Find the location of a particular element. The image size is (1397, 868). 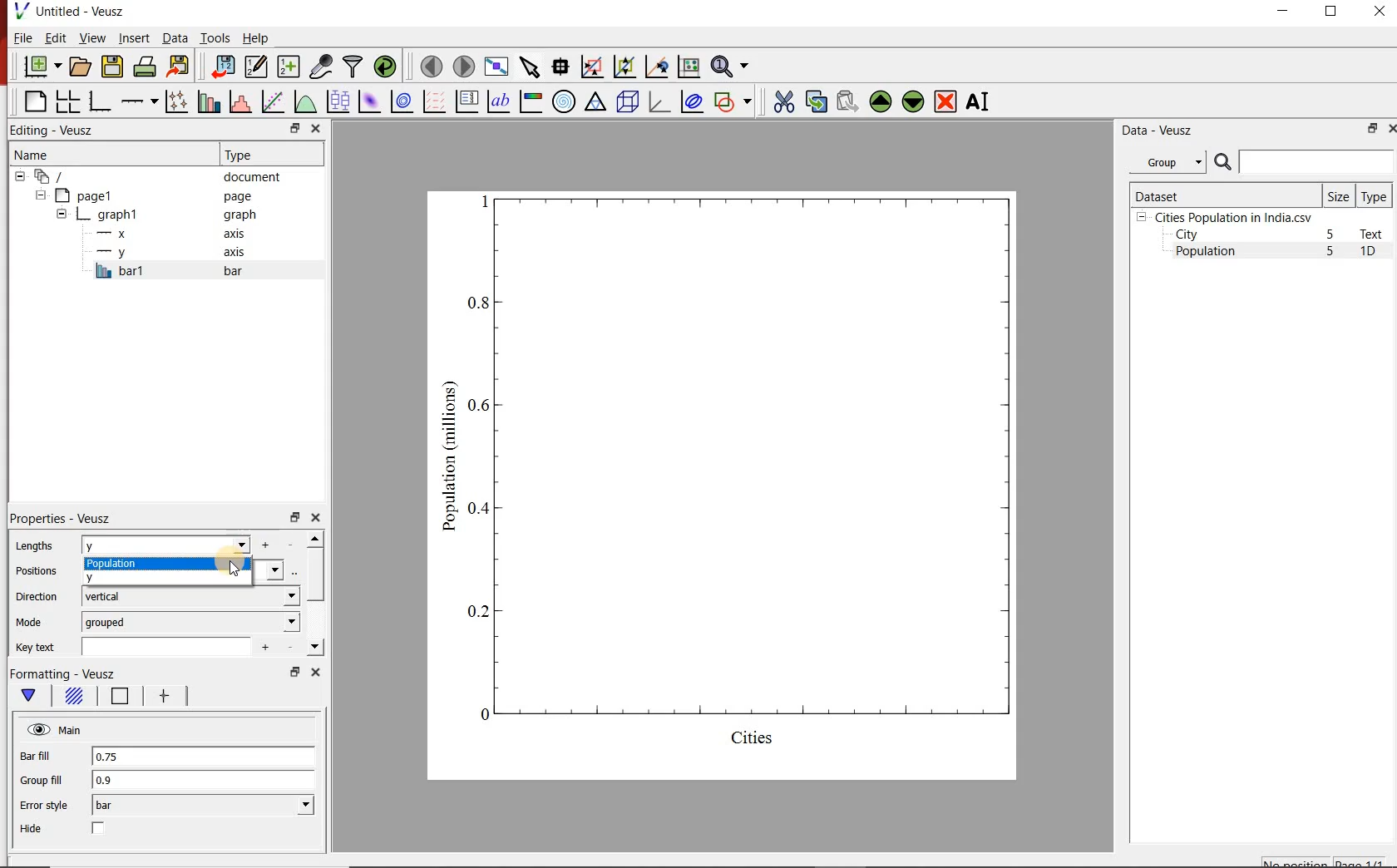

page1 is located at coordinates (149, 195).